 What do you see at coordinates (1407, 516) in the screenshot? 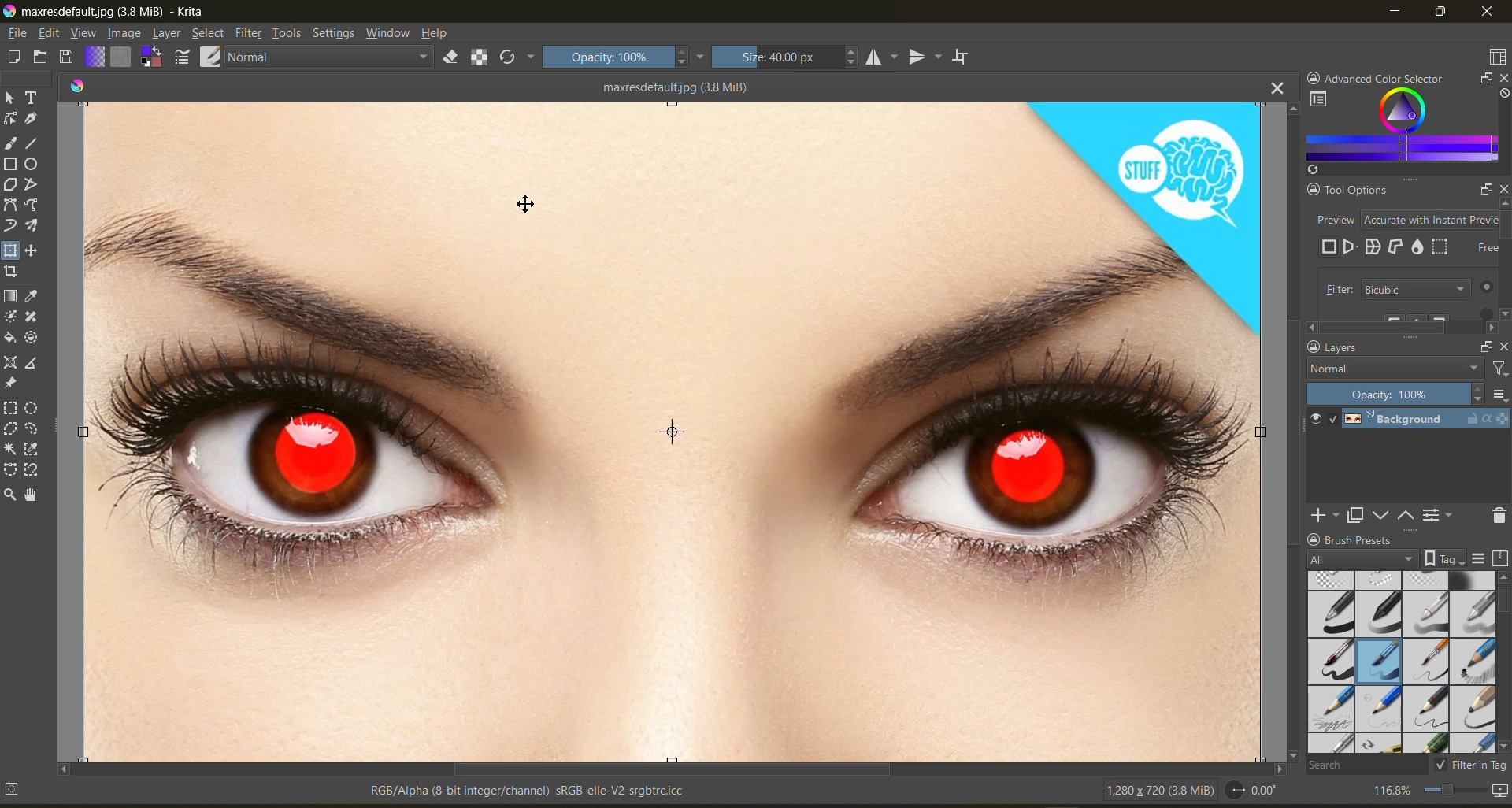
I see `mask up` at bounding box center [1407, 516].